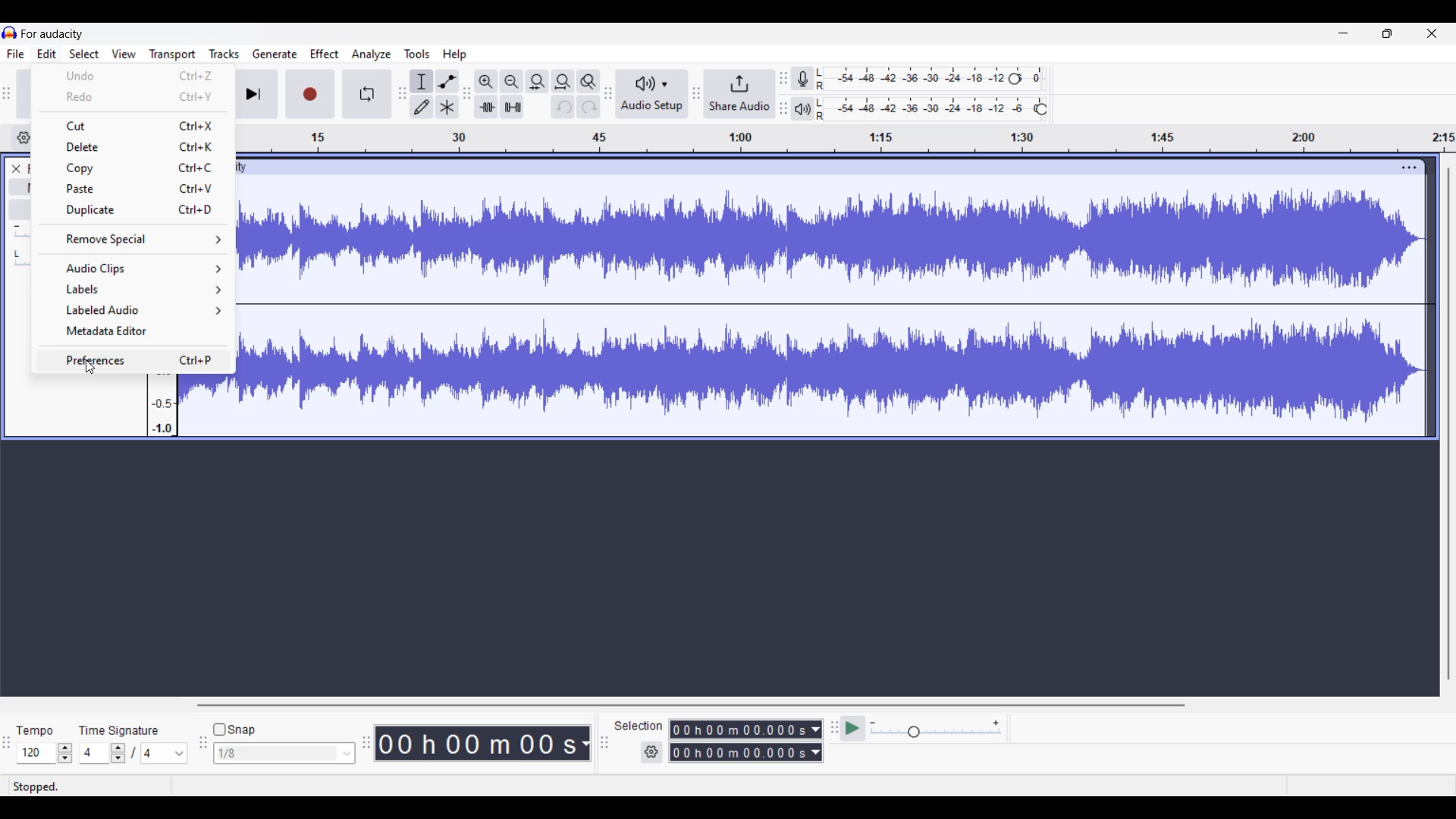 The image size is (1456, 819). What do you see at coordinates (909, 79) in the screenshot?
I see `Recording level` at bounding box center [909, 79].